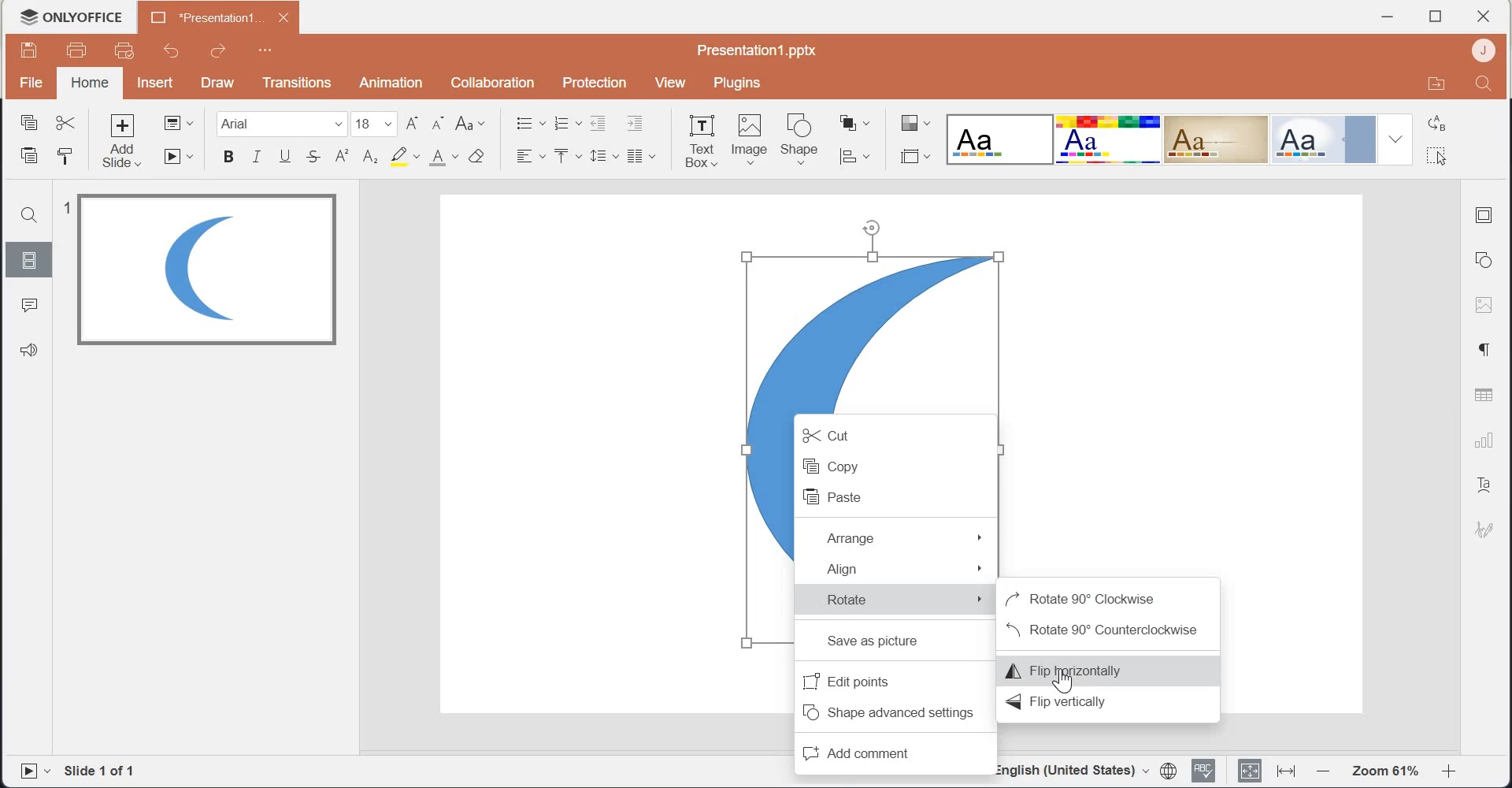 The width and height of the screenshot is (1512, 788). What do you see at coordinates (1483, 84) in the screenshot?
I see `Search` at bounding box center [1483, 84].